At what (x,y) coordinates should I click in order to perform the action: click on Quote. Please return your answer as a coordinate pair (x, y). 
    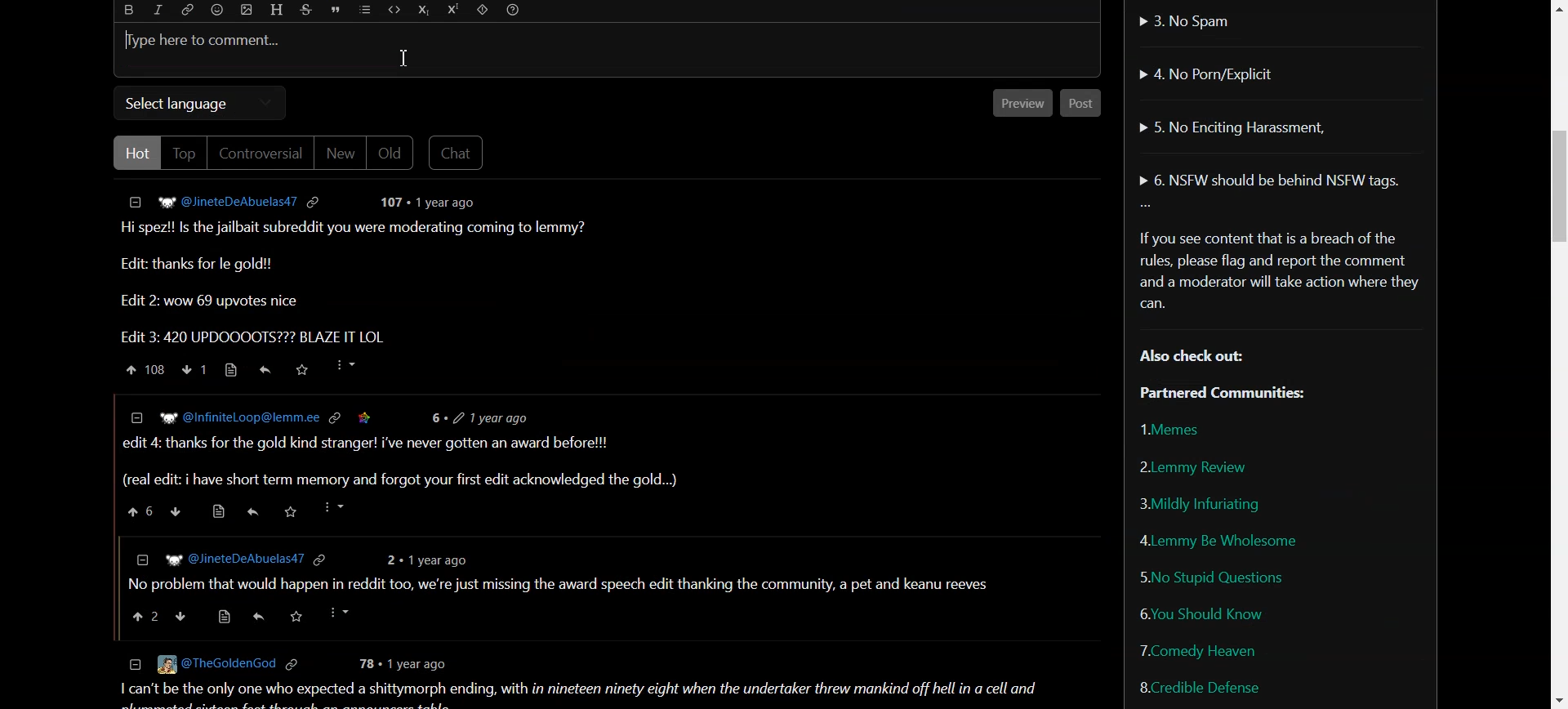
    Looking at the image, I should click on (337, 10).